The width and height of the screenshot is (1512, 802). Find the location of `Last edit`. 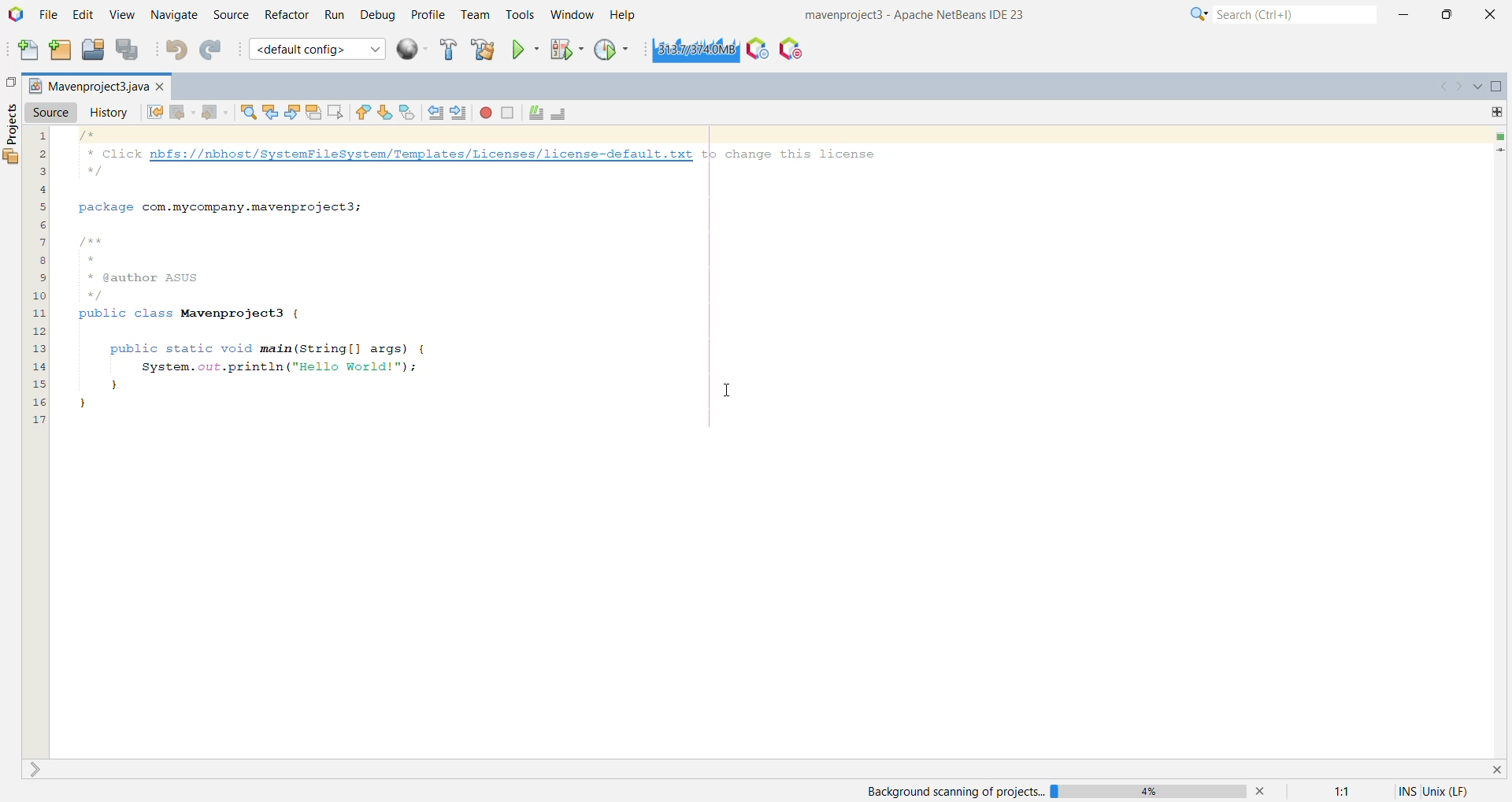

Last edit is located at coordinates (155, 113).